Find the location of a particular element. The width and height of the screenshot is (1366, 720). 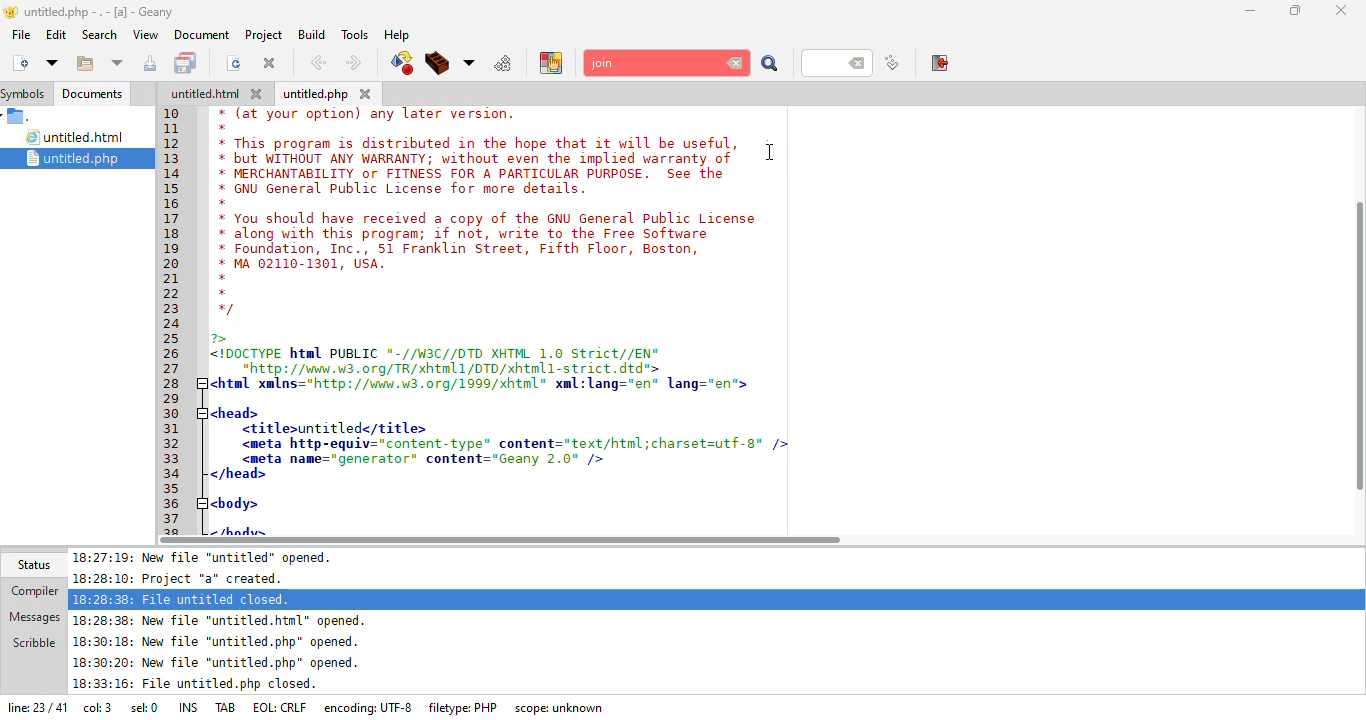

run or view is located at coordinates (504, 63).